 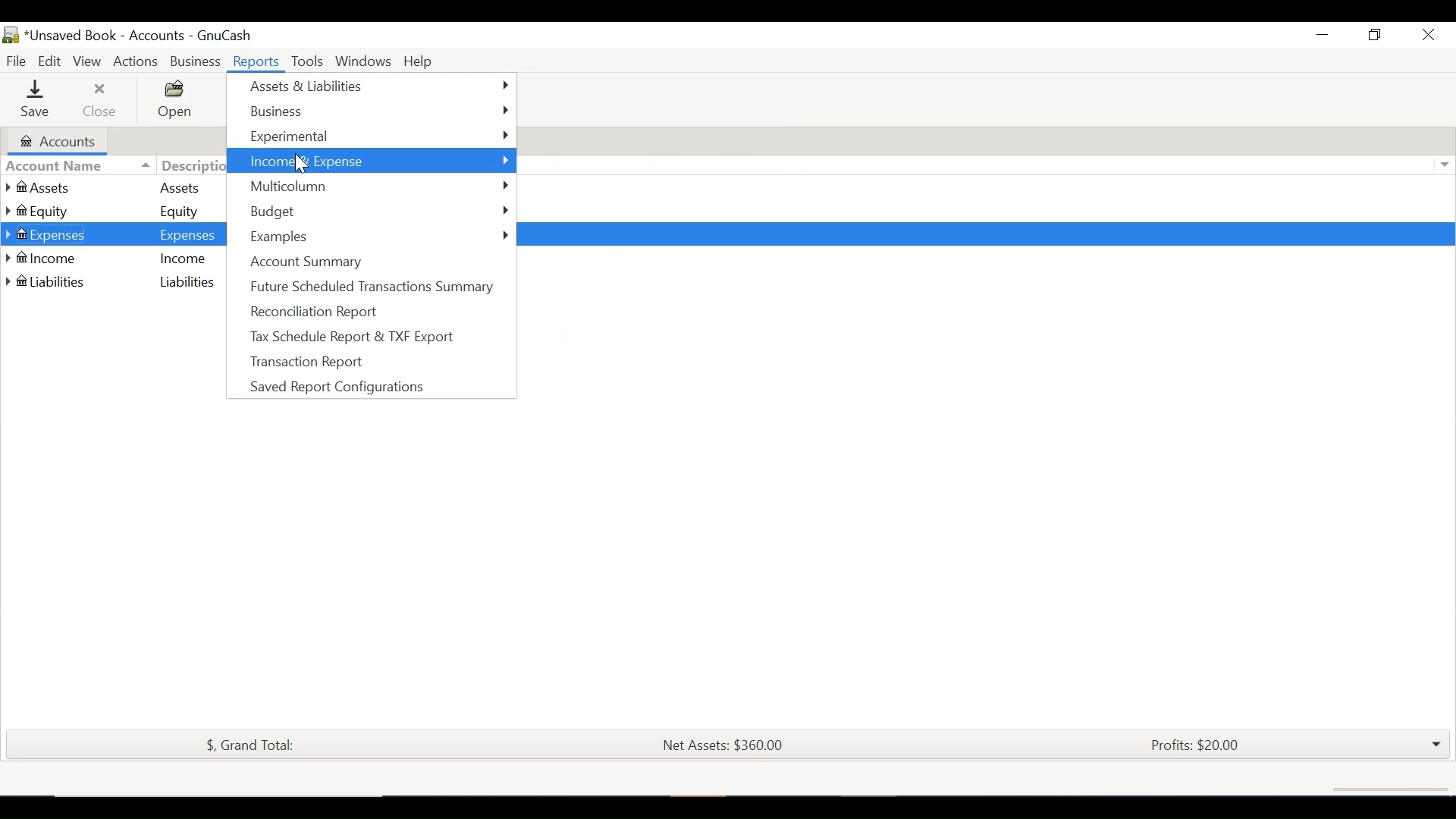 What do you see at coordinates (1197, 744) in the screenshot?
I see `Profits: $20.00` at bounding box center [1197, 744].